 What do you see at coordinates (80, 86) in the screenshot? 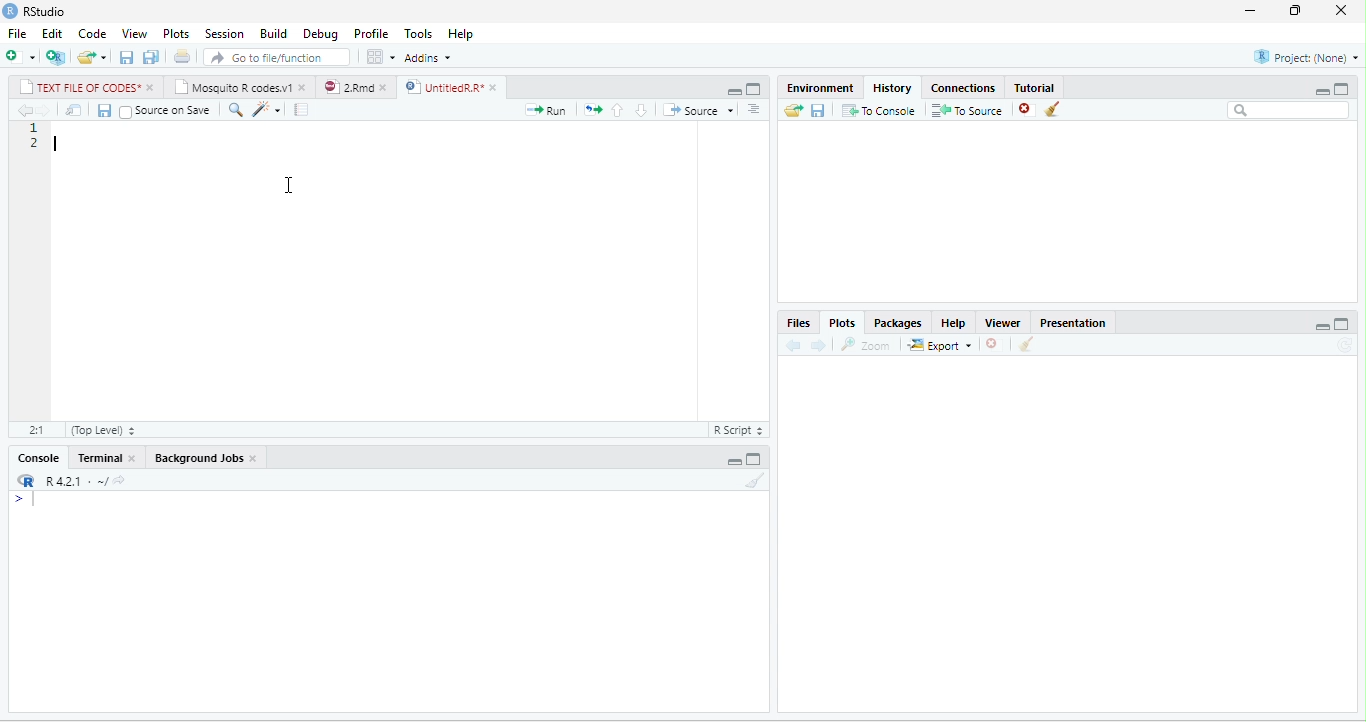
I see `TEXT FILE OF CODES` at bounding box center [80, 86].